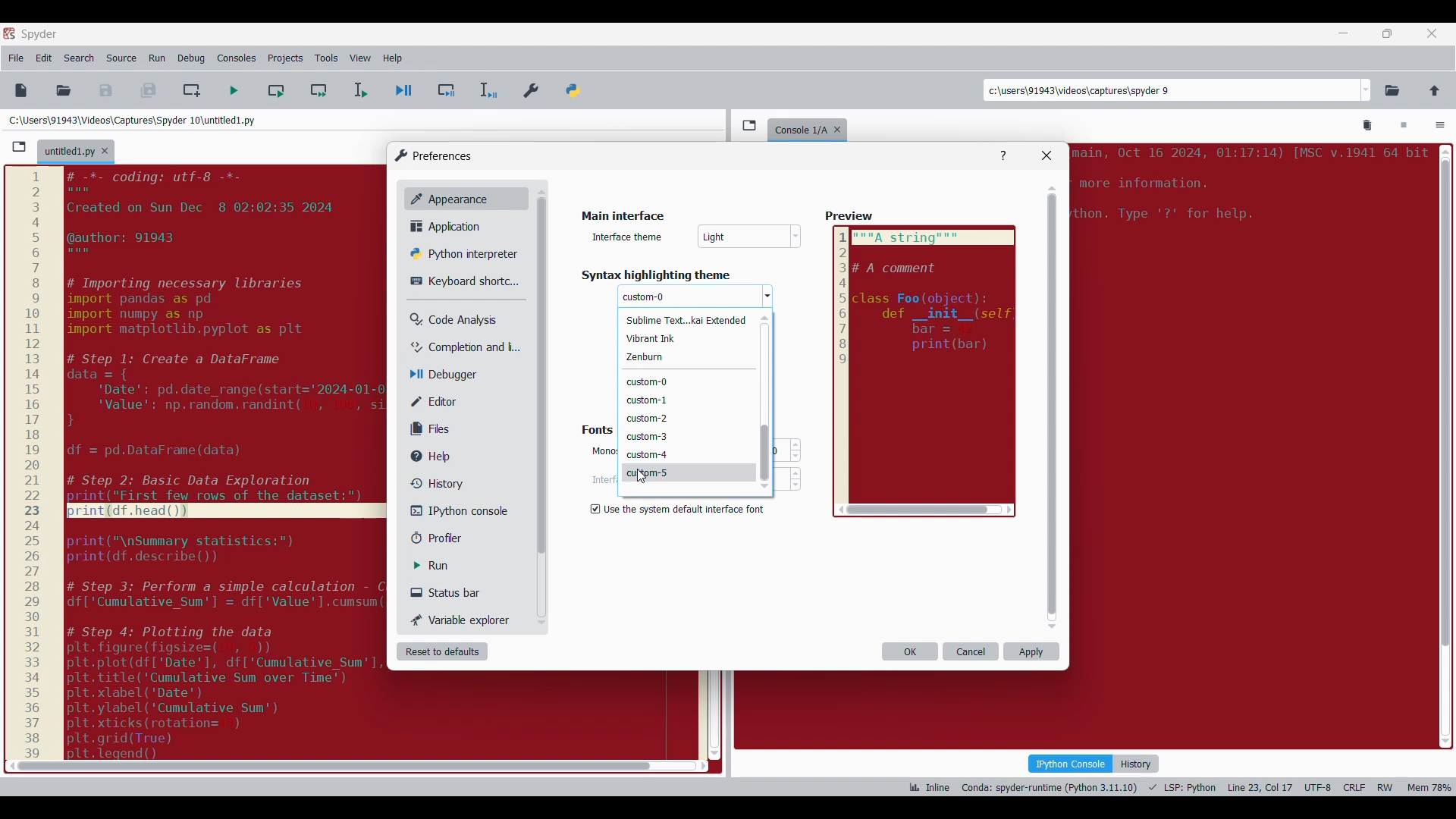 The width and height of the screenshot is (1456, 819). What do you see at coordinates (64, 90) in the screenshot?
I see `Open` at bounding box center [64, 90].